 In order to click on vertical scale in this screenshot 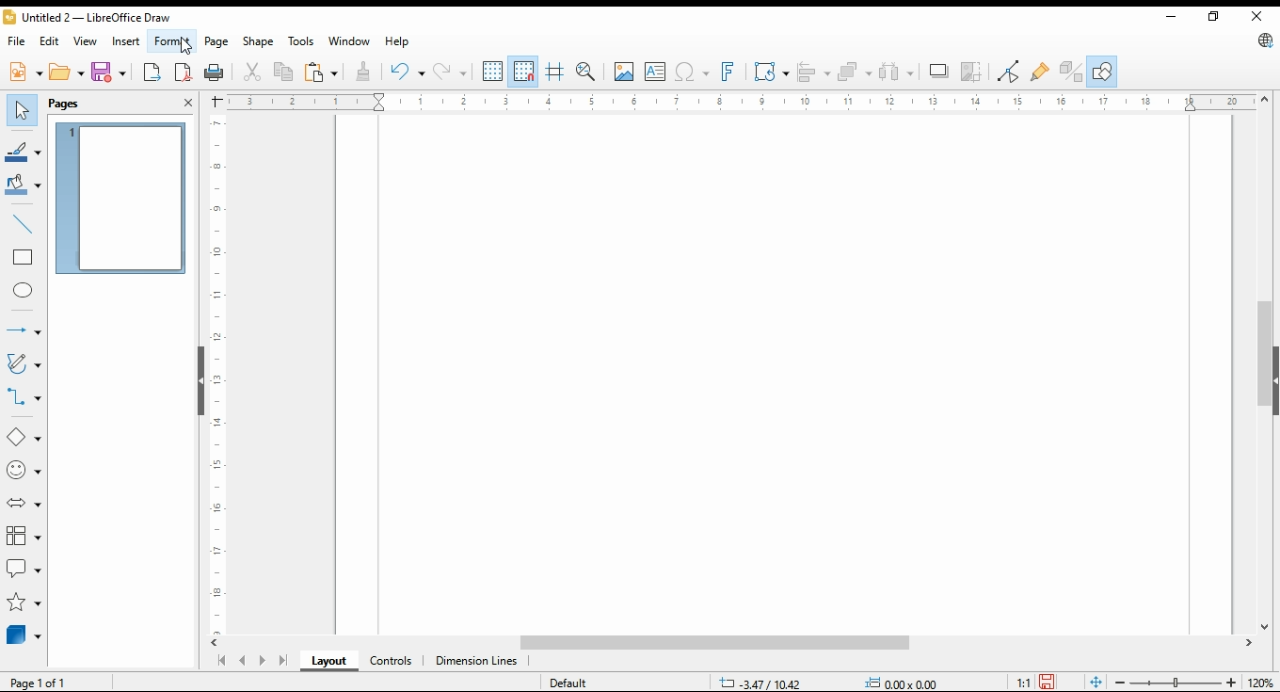, I will do `click(215, 374)`.